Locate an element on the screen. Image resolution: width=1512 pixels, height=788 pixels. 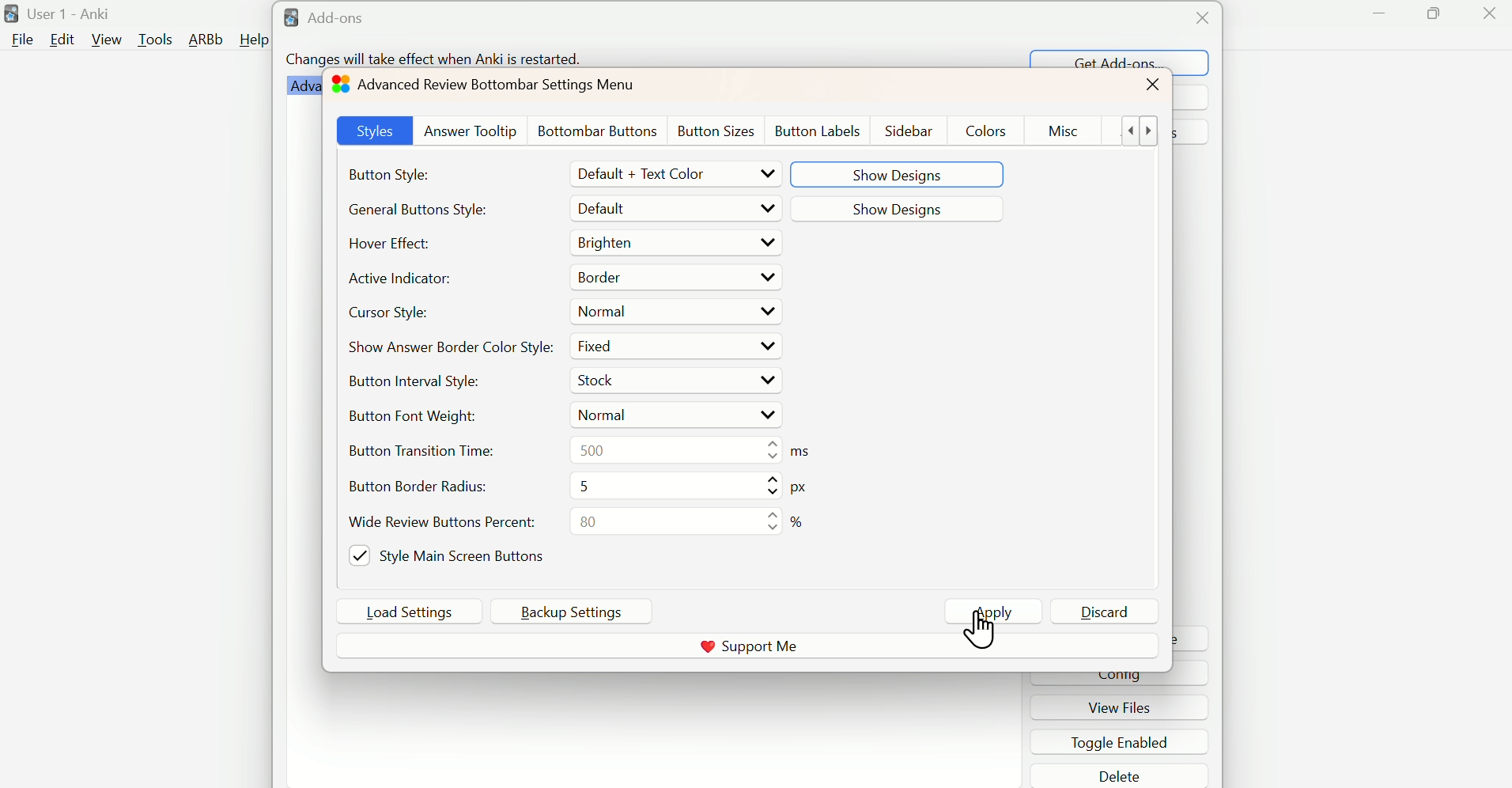
Drop up/down buttons is located at coordinates (770, 351).